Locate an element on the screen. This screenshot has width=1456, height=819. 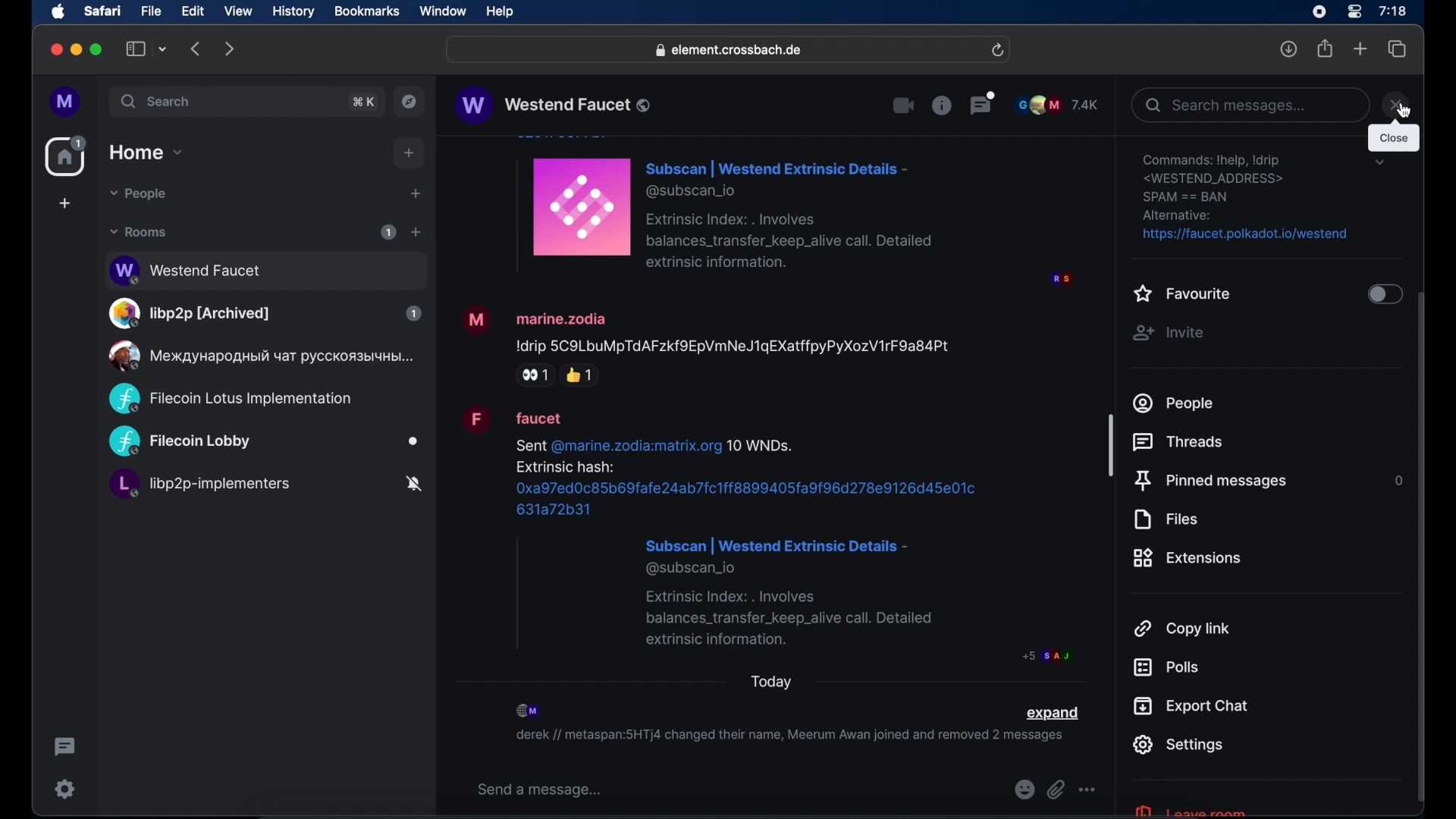
scroll bar is located at coordinates (1422, 549).